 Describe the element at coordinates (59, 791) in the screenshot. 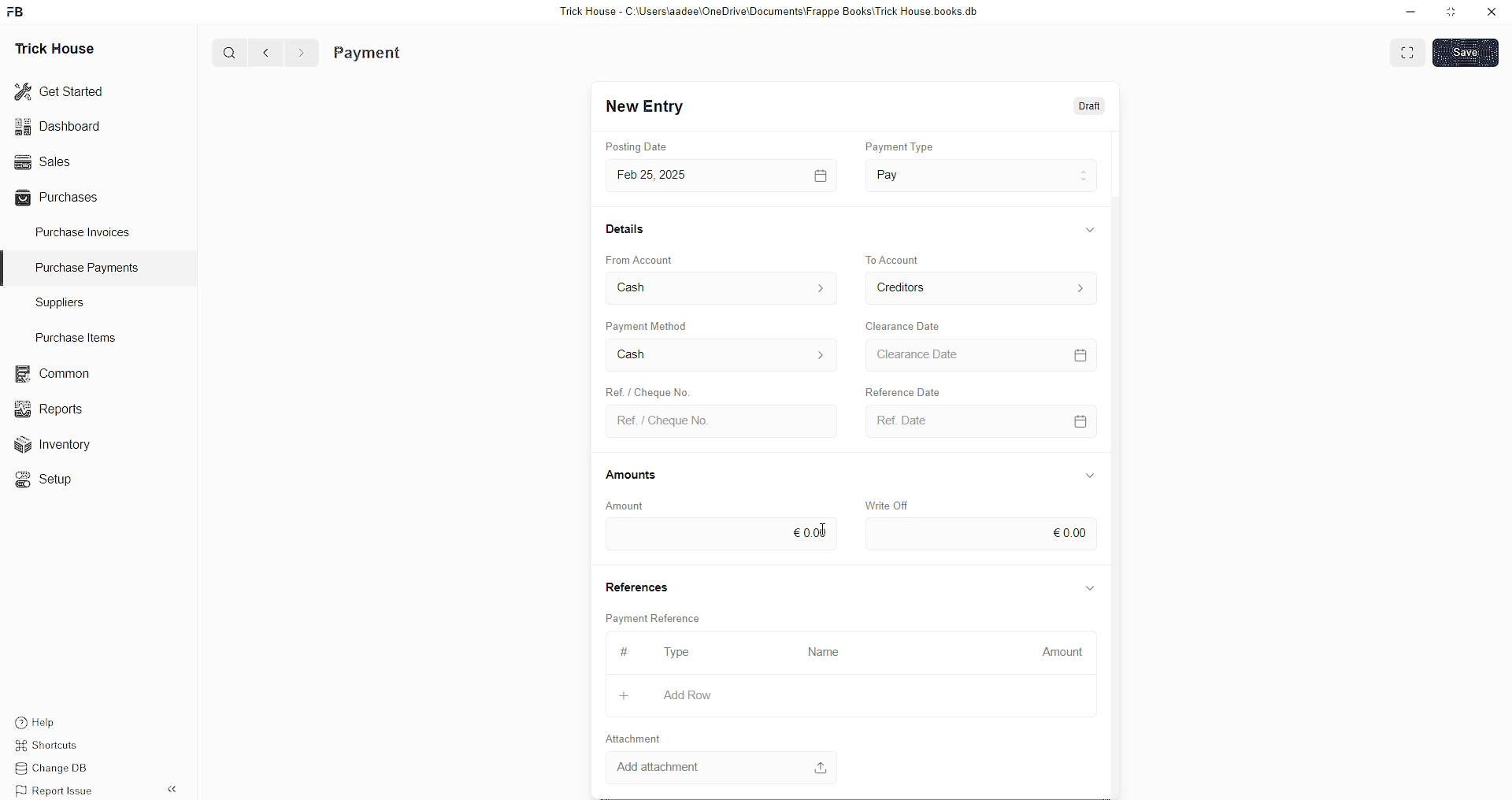

I see `Report Issue` at that location.